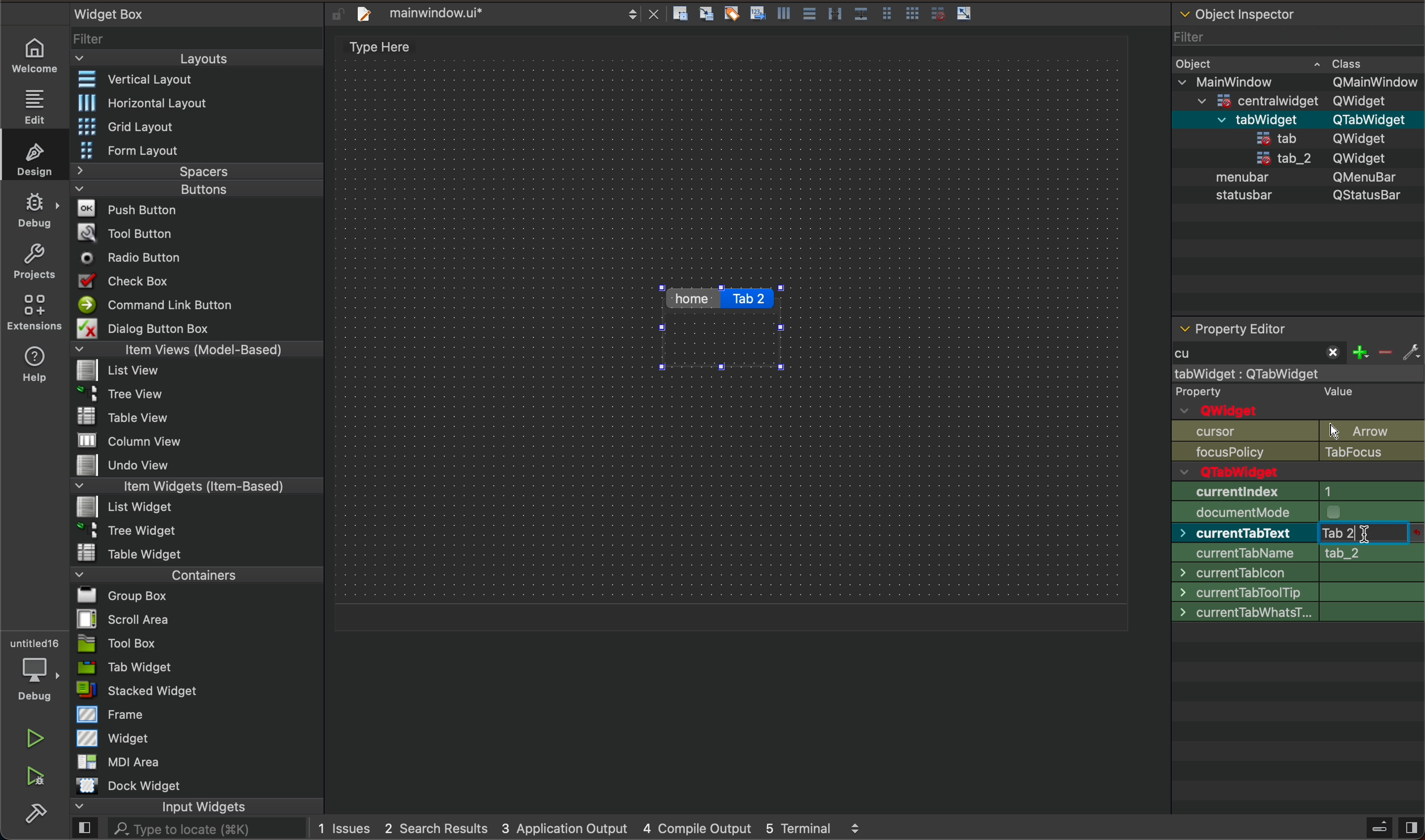 The image size is (1425, 840). What do you see at coordinates (132, 78) in the screenshot?
I see `Vertical Layout` at bounding box center [132, 78].